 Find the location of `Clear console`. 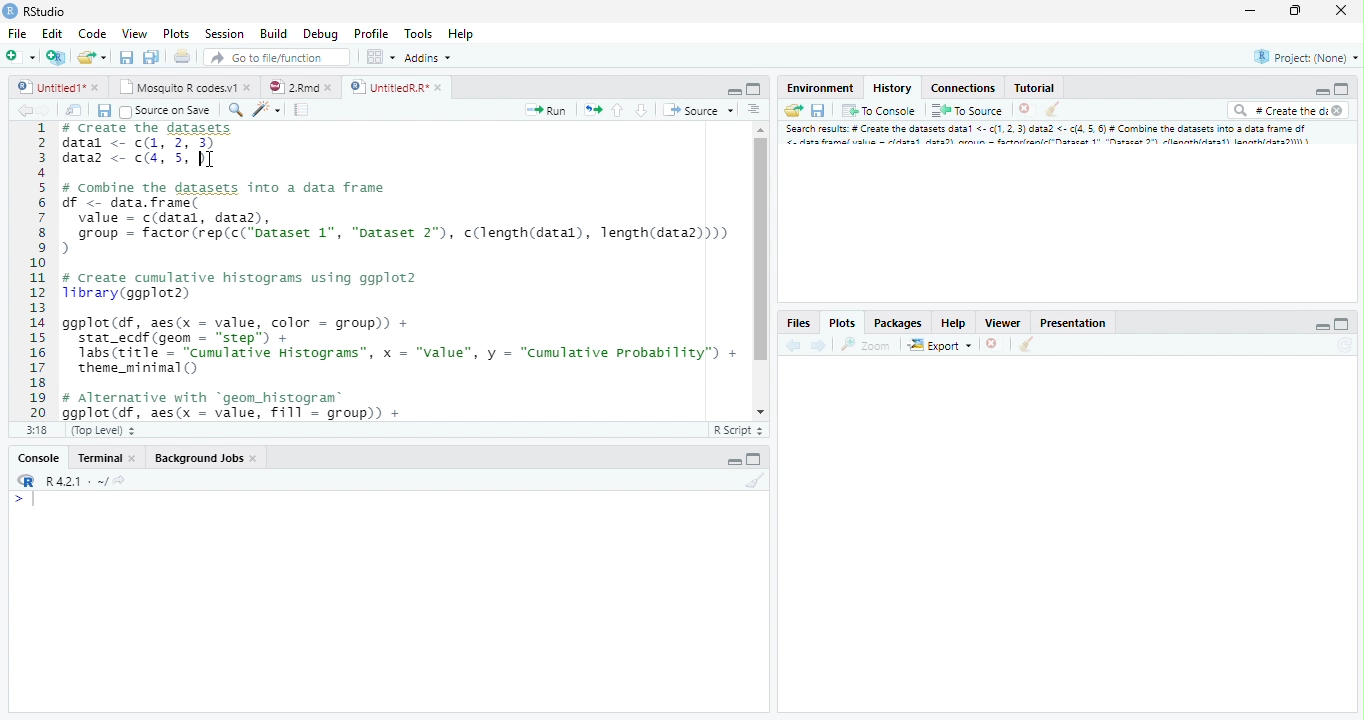

Clear console is located at coordinates (1055, 111).